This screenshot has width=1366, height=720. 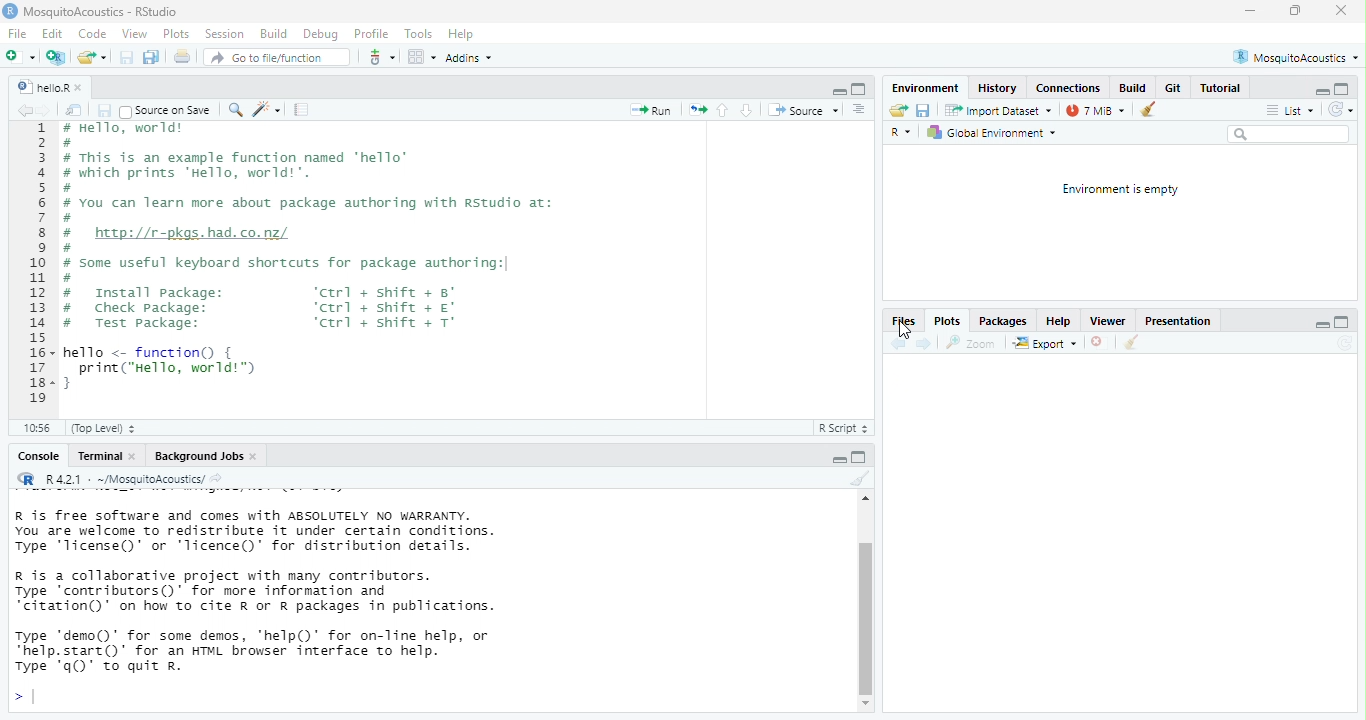 I want to click on import Dataset ~, so click(x=1002, y=110).